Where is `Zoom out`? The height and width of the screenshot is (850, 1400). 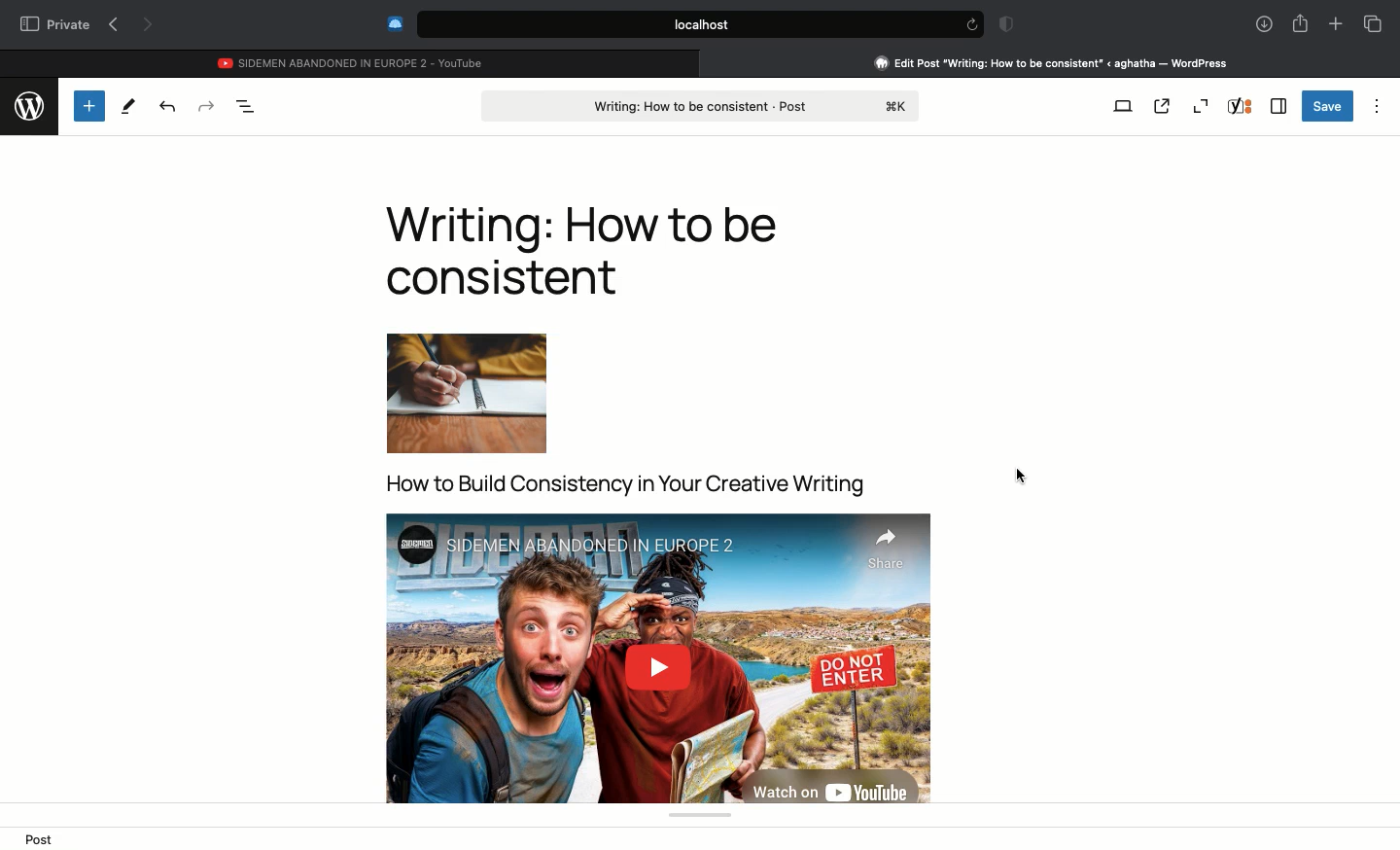 Zoom out is located at coordinates (1200, 106).